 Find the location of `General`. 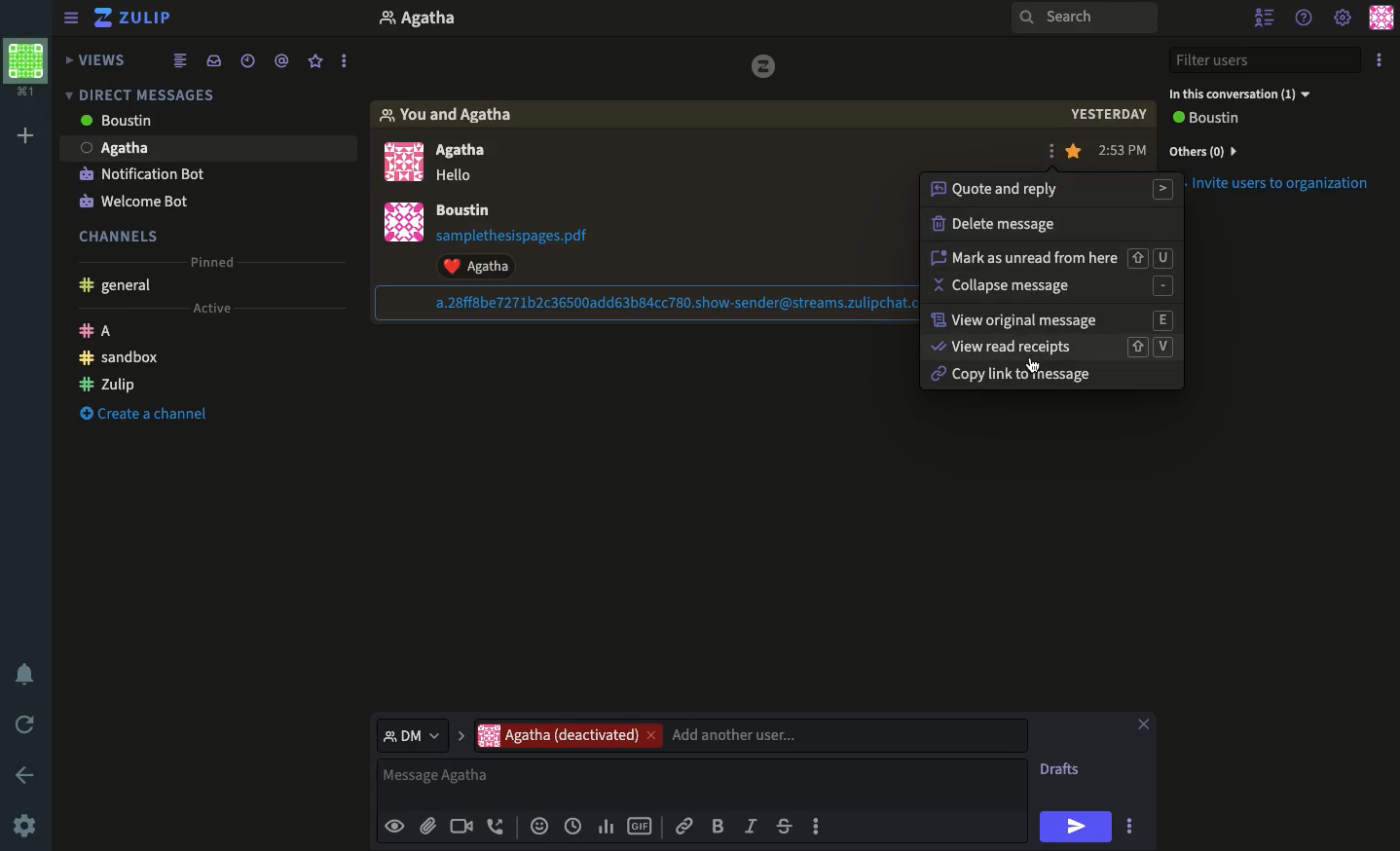

General is located at coordinates (119, 287).